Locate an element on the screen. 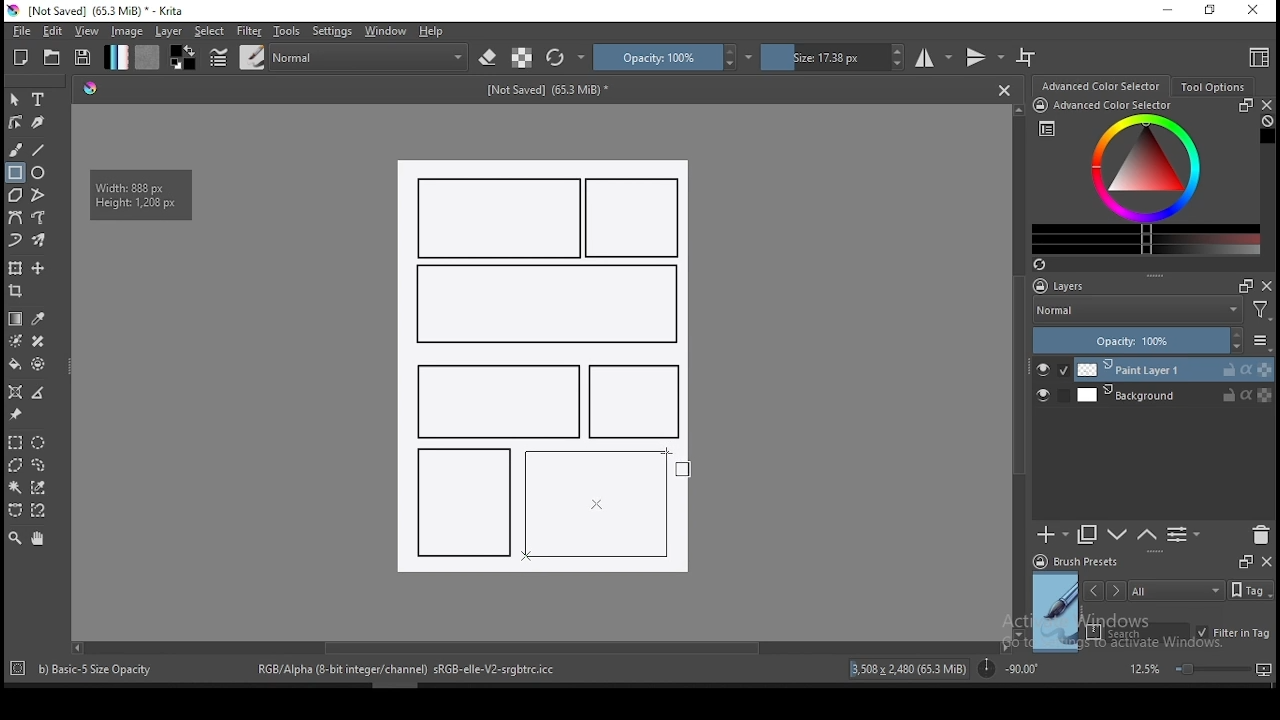 The height and width of the screenshot is (720, 1280). preserve alpha is located at coordinates (522, 59).